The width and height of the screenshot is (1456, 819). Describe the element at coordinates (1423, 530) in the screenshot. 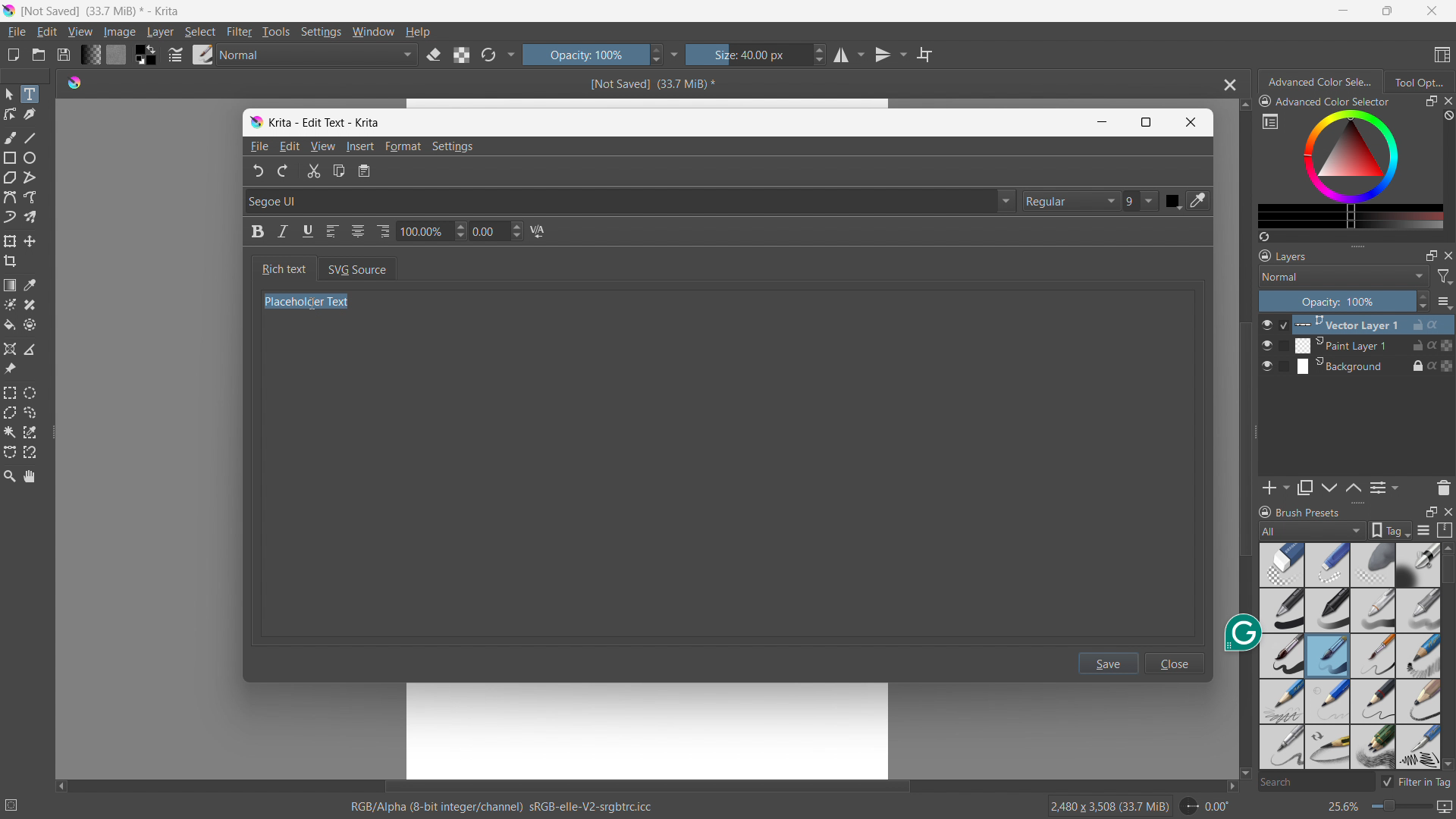

I see `display settings` at that location.